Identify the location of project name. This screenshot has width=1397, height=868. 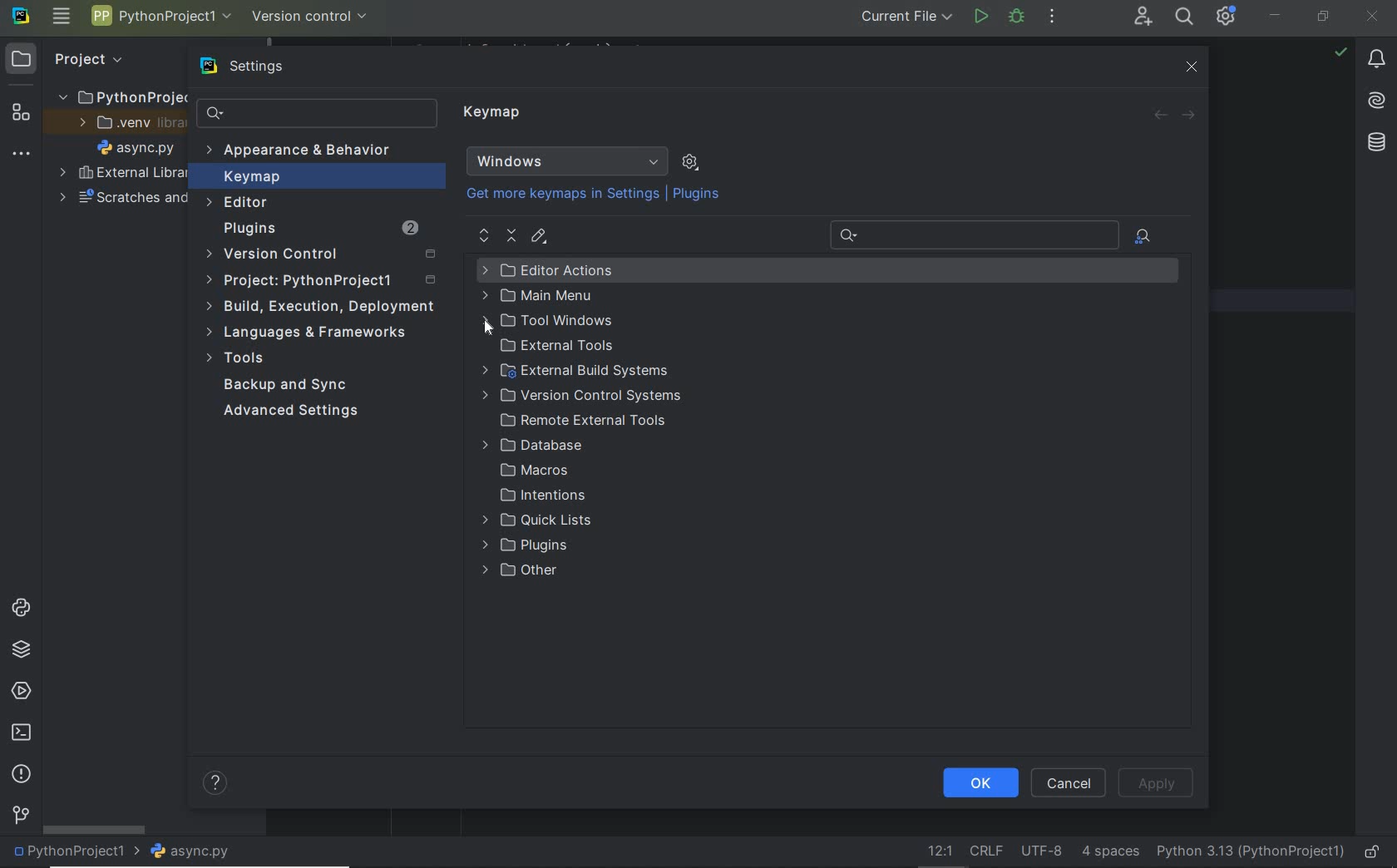
(72, 853).